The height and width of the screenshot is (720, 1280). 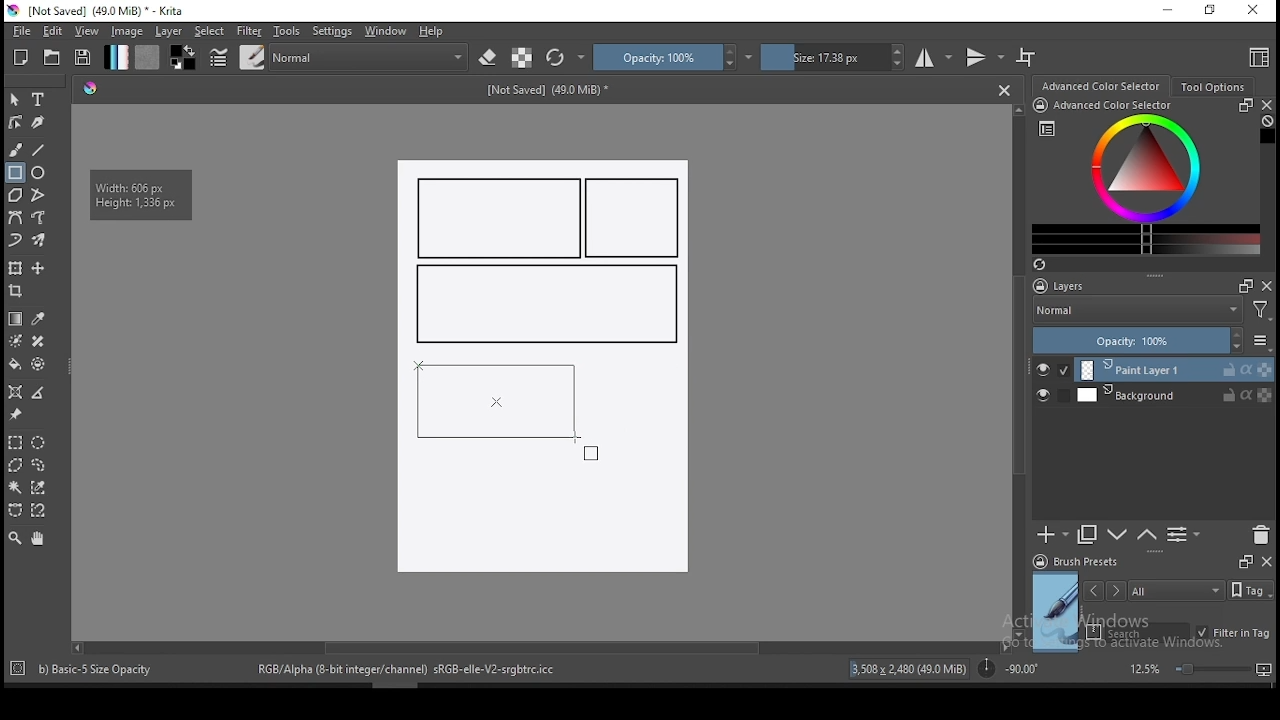 What do you see at coordinates (1150, 342) in the screenshot?
I see `opacity` at bounding box center [1150, 342].